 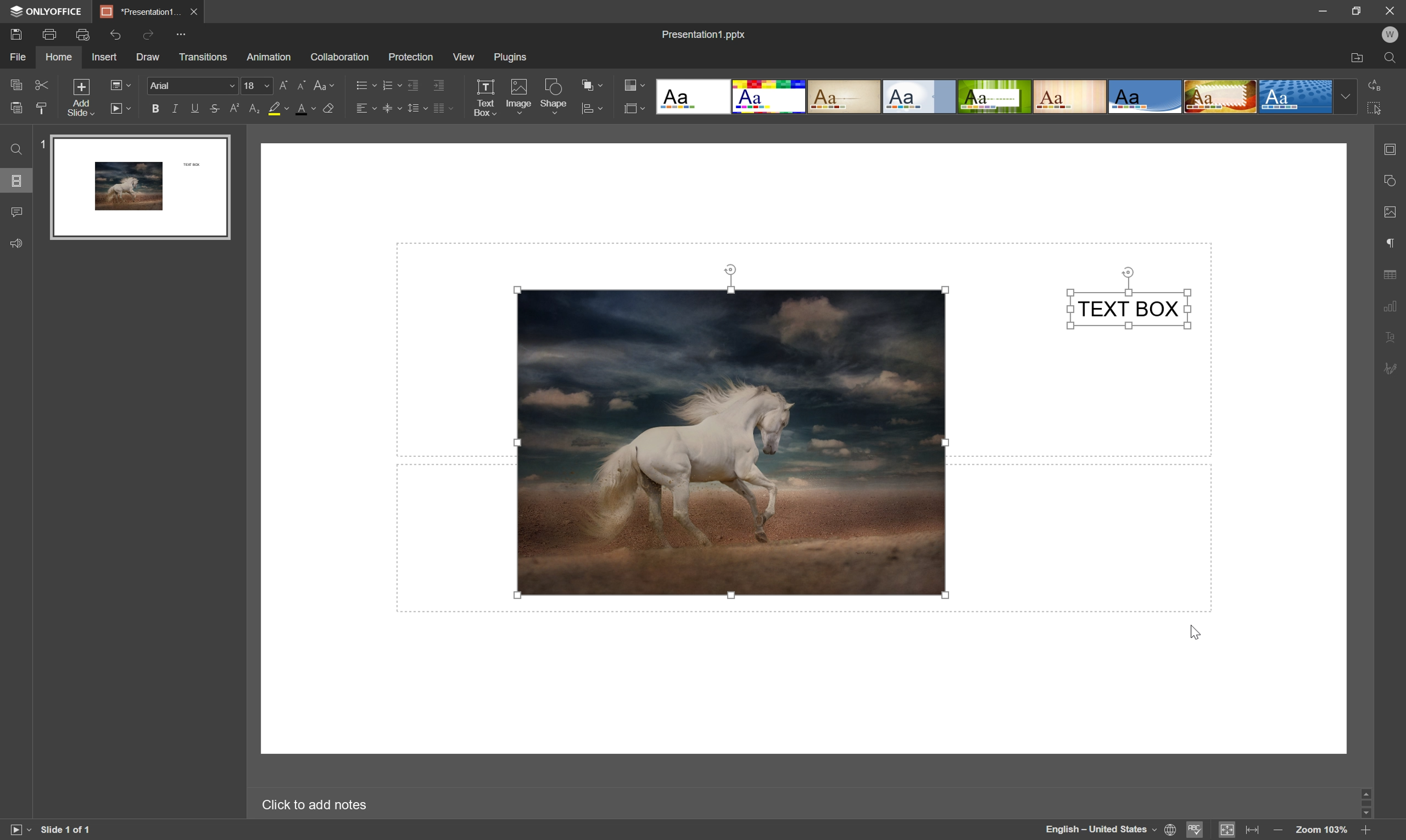 What do you see at coordinates (215, 109) in the screenshot?
I see `strikethrough` at bounding box center [215, 109].